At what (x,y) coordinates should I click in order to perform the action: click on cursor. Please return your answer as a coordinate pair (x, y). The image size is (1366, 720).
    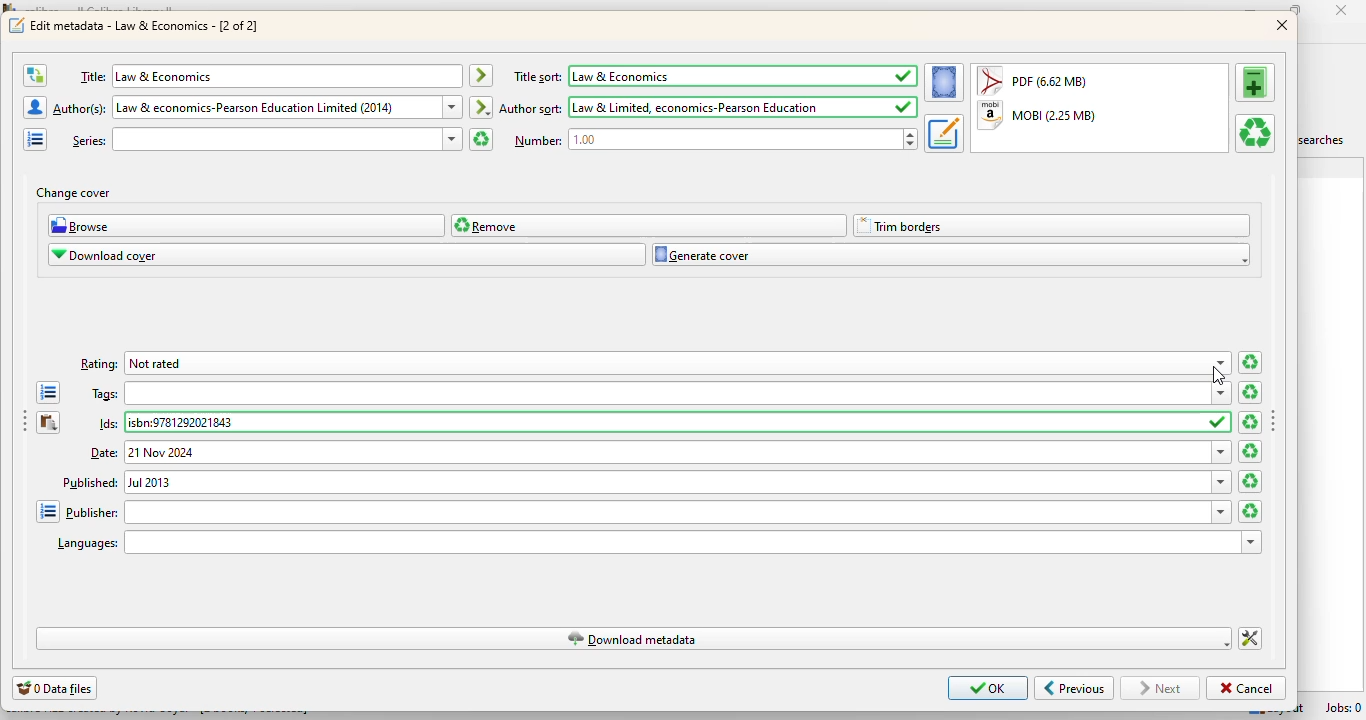
    Looking at the image, I should click on (1217, 374).